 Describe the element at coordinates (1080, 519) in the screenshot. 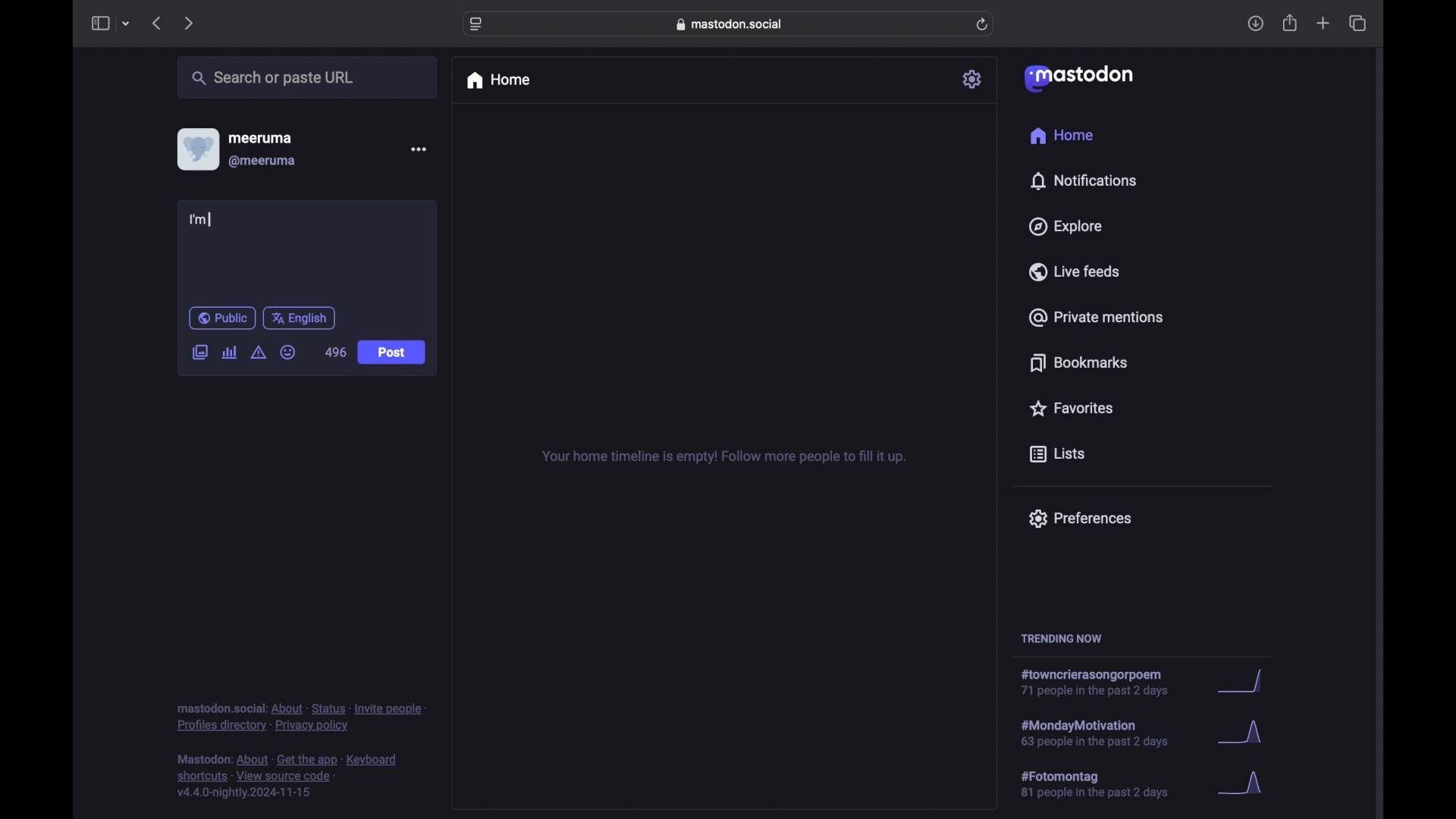

I see `preferences` at that location.